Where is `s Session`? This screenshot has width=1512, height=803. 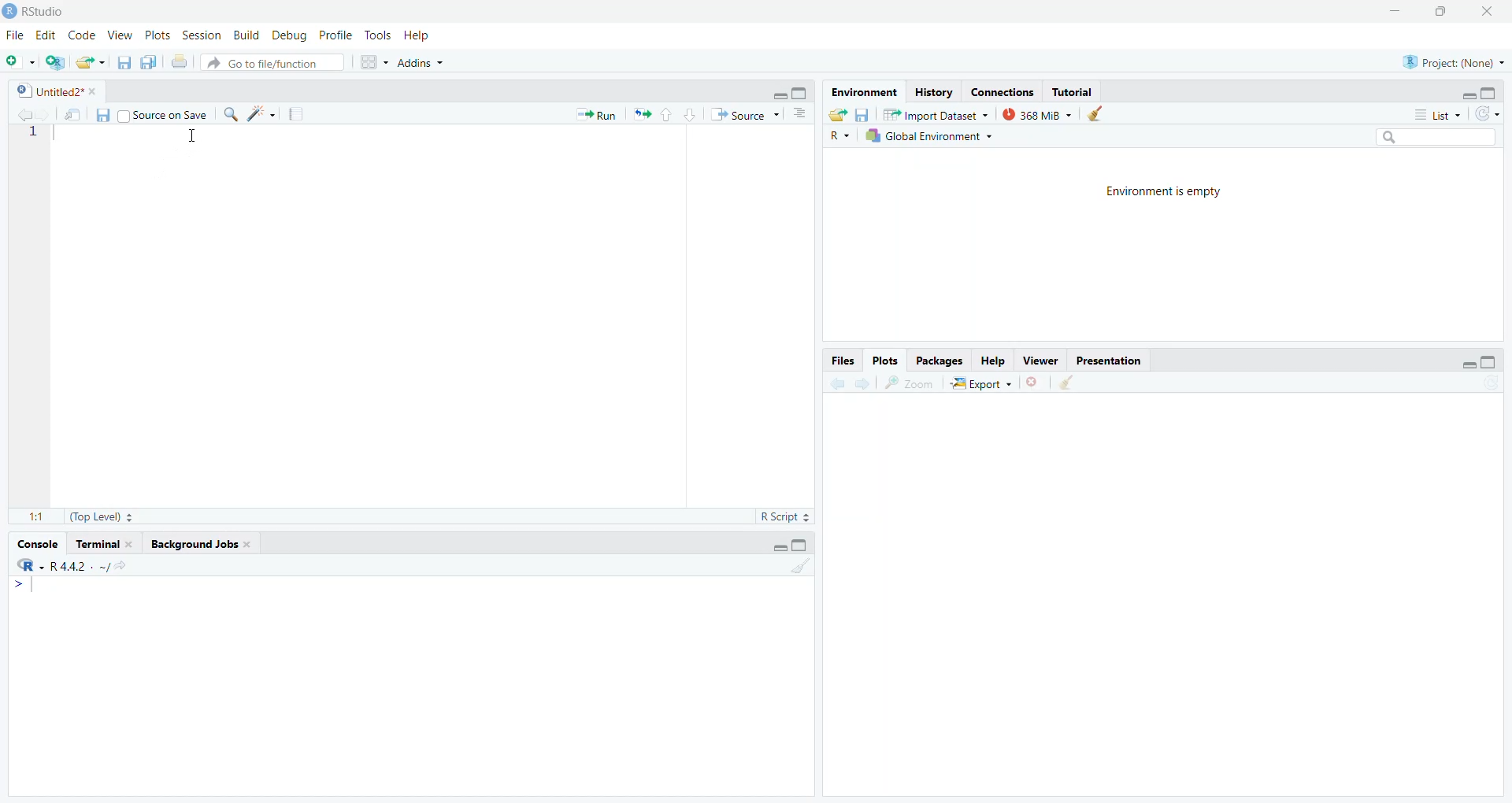
s Session is located at coordinates (198, 35).